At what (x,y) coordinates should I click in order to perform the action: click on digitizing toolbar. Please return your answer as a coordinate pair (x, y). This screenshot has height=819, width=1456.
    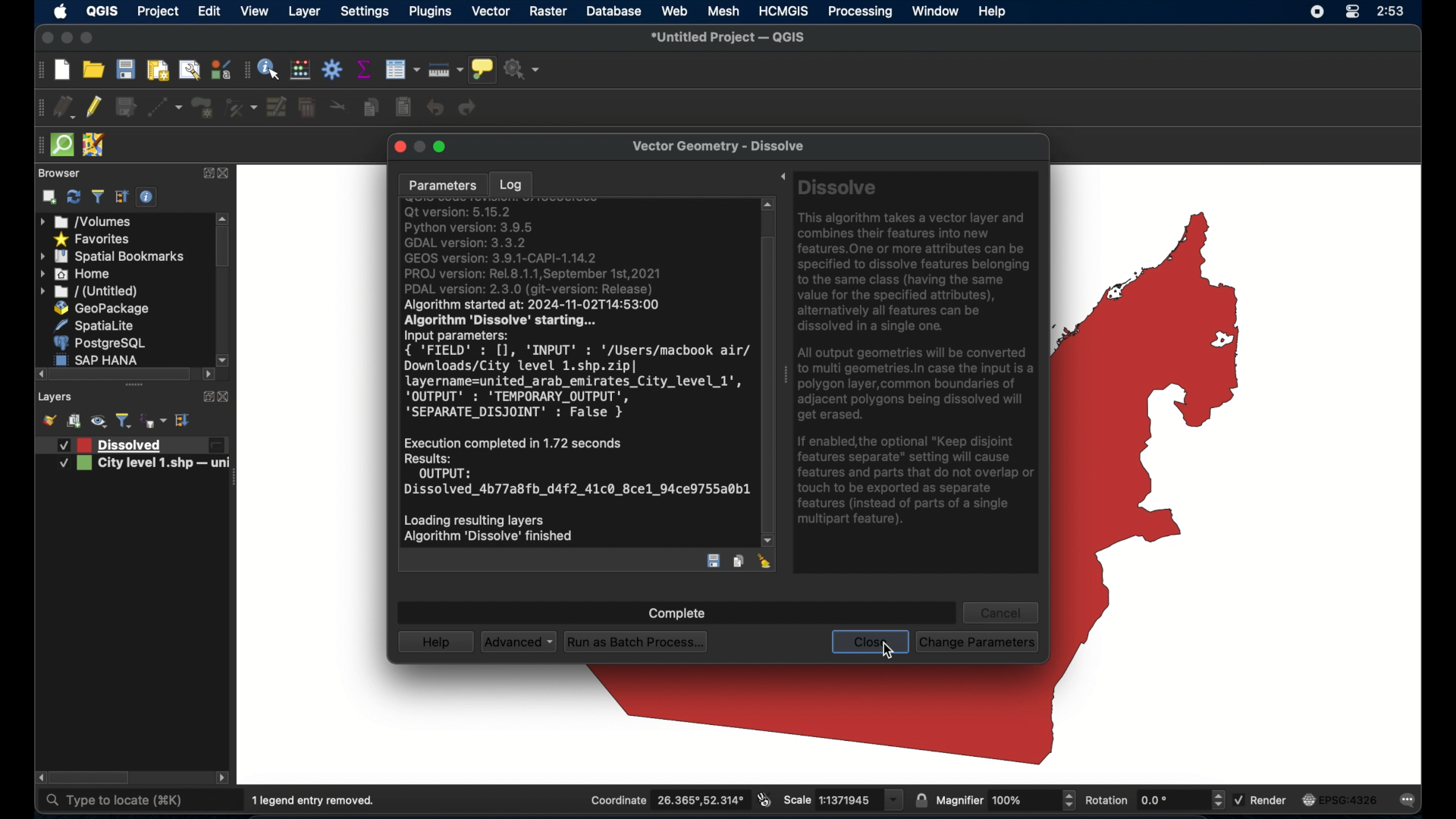
    Looking at the image, I should click on (41, 108).